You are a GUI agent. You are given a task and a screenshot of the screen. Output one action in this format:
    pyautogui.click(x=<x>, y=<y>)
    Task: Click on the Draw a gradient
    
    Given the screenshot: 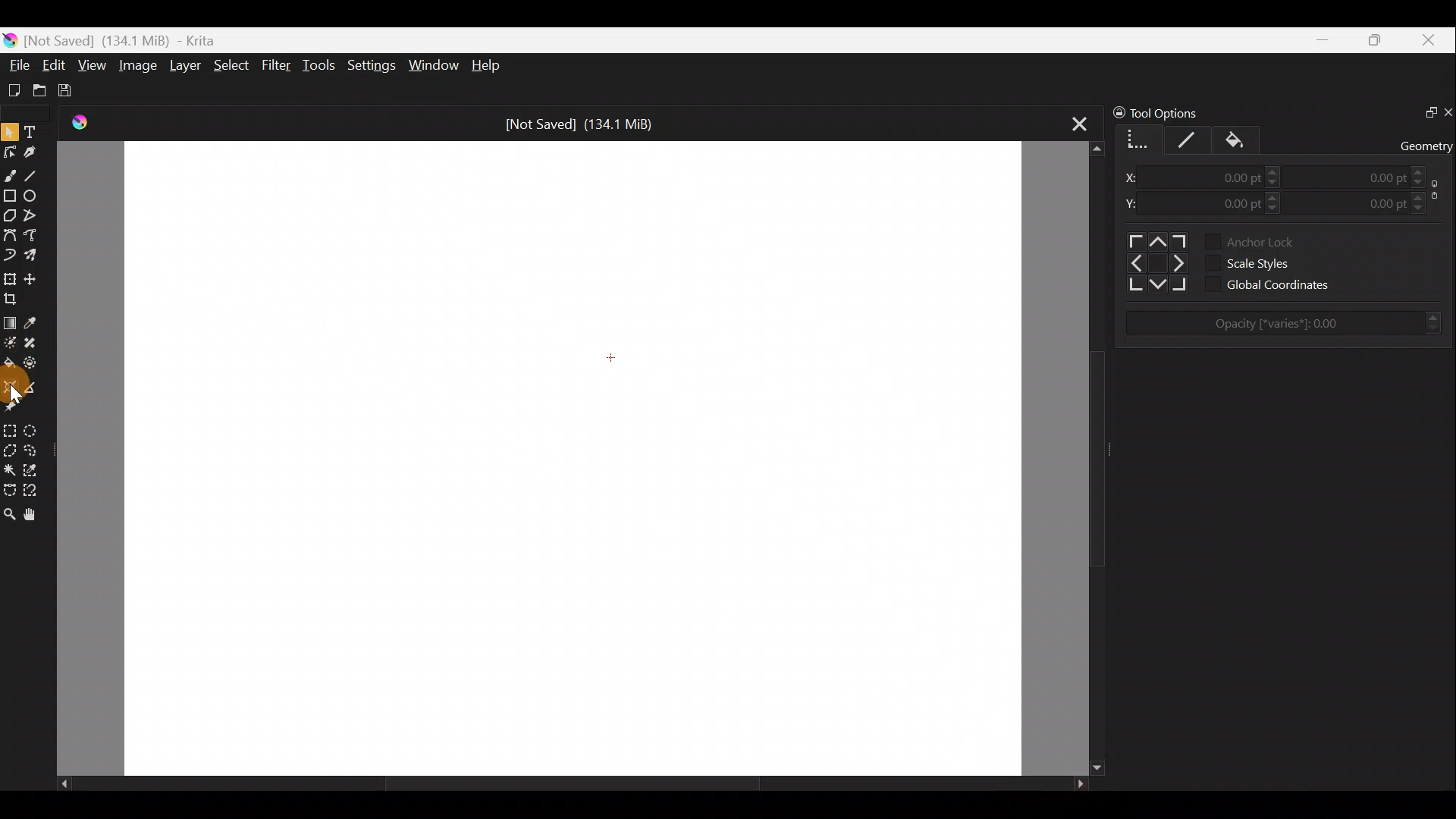 What is the action you would take?
    pyautogui.click(x=10, y=322)
    